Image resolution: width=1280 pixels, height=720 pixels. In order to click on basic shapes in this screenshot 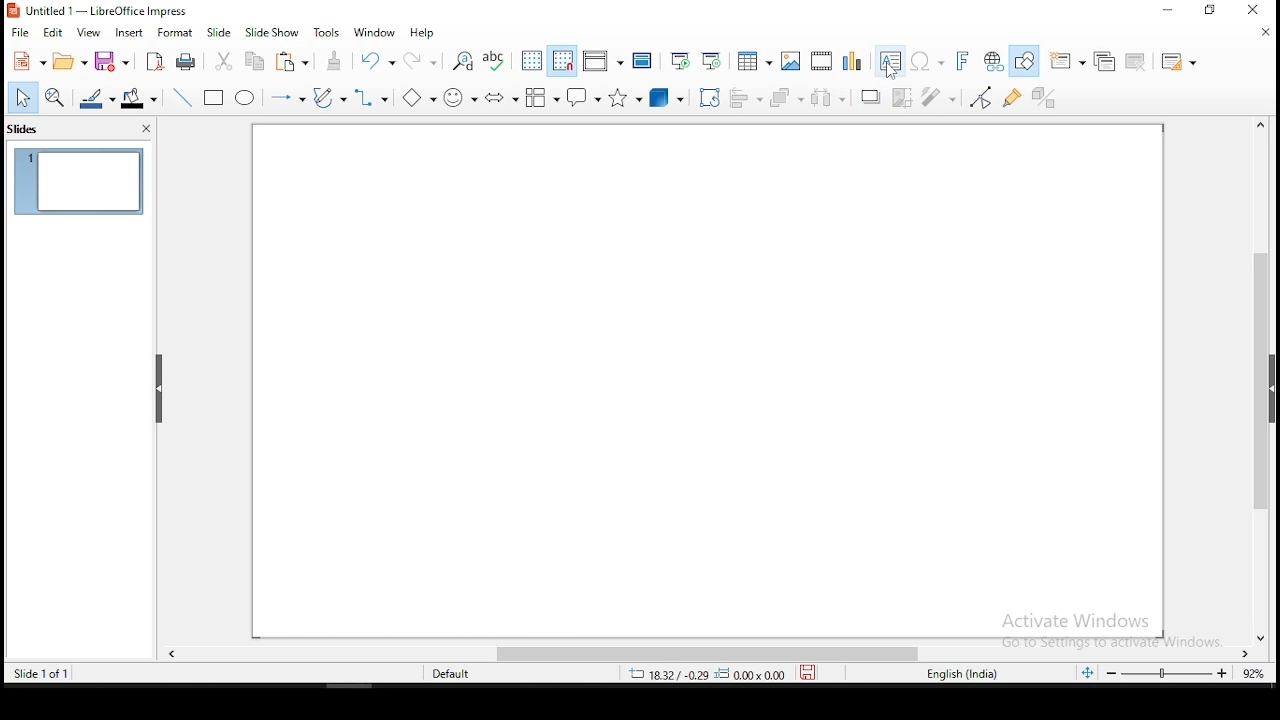, I will do `click(419, 97)`.